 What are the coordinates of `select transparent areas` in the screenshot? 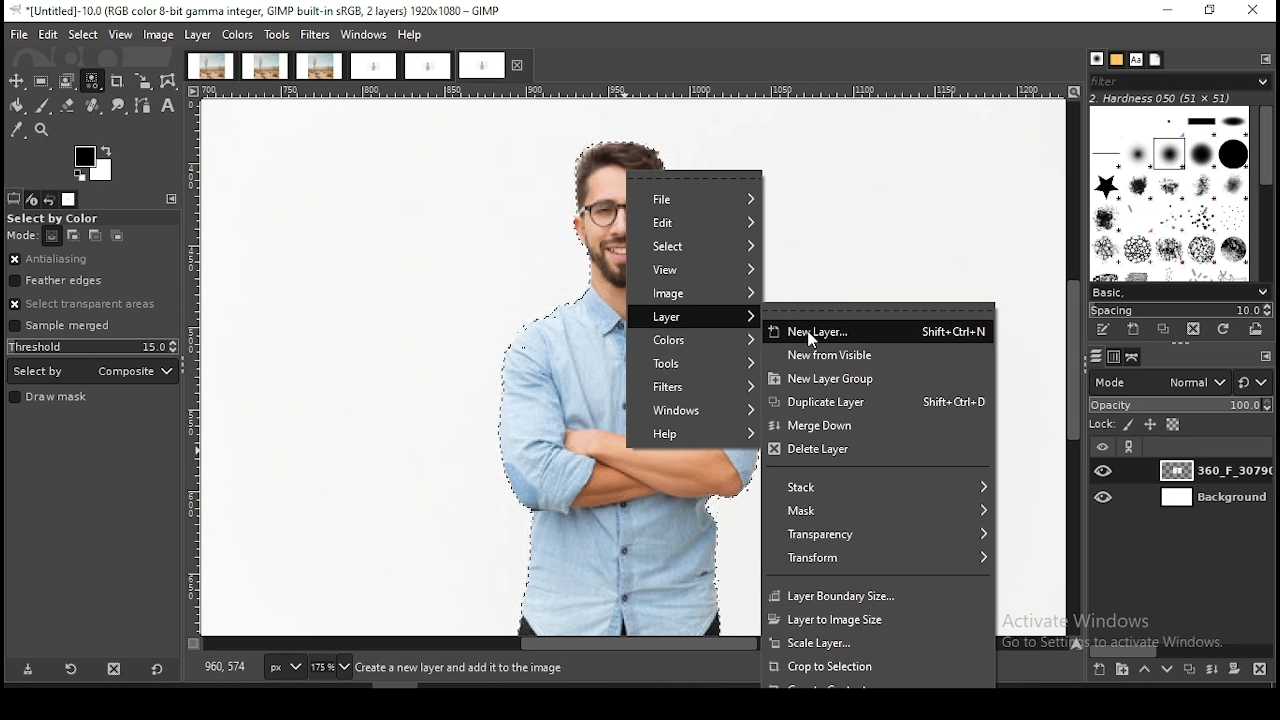 It's located at (87, 304).